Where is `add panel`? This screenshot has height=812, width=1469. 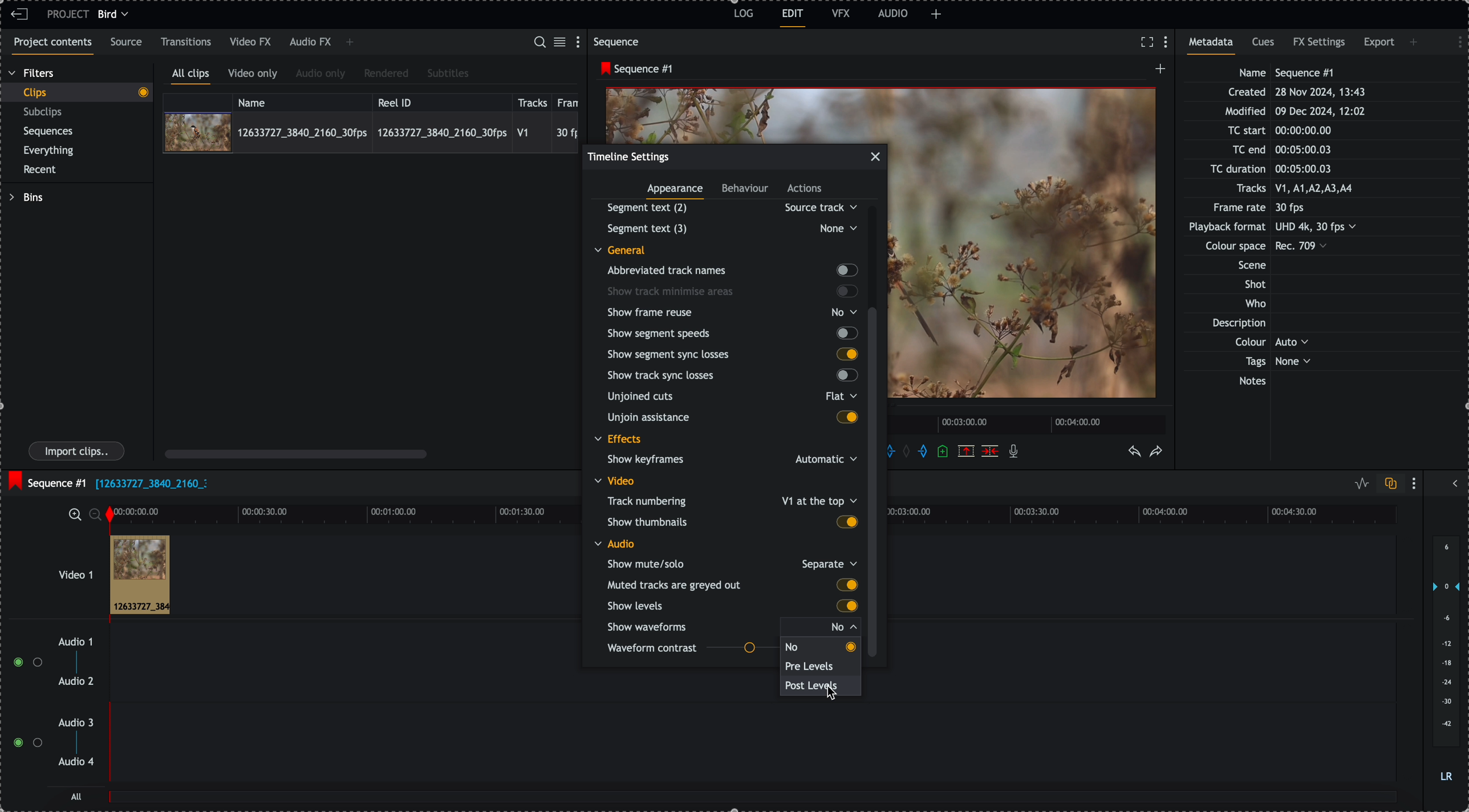
add panel is located at coordinates (350, 43).